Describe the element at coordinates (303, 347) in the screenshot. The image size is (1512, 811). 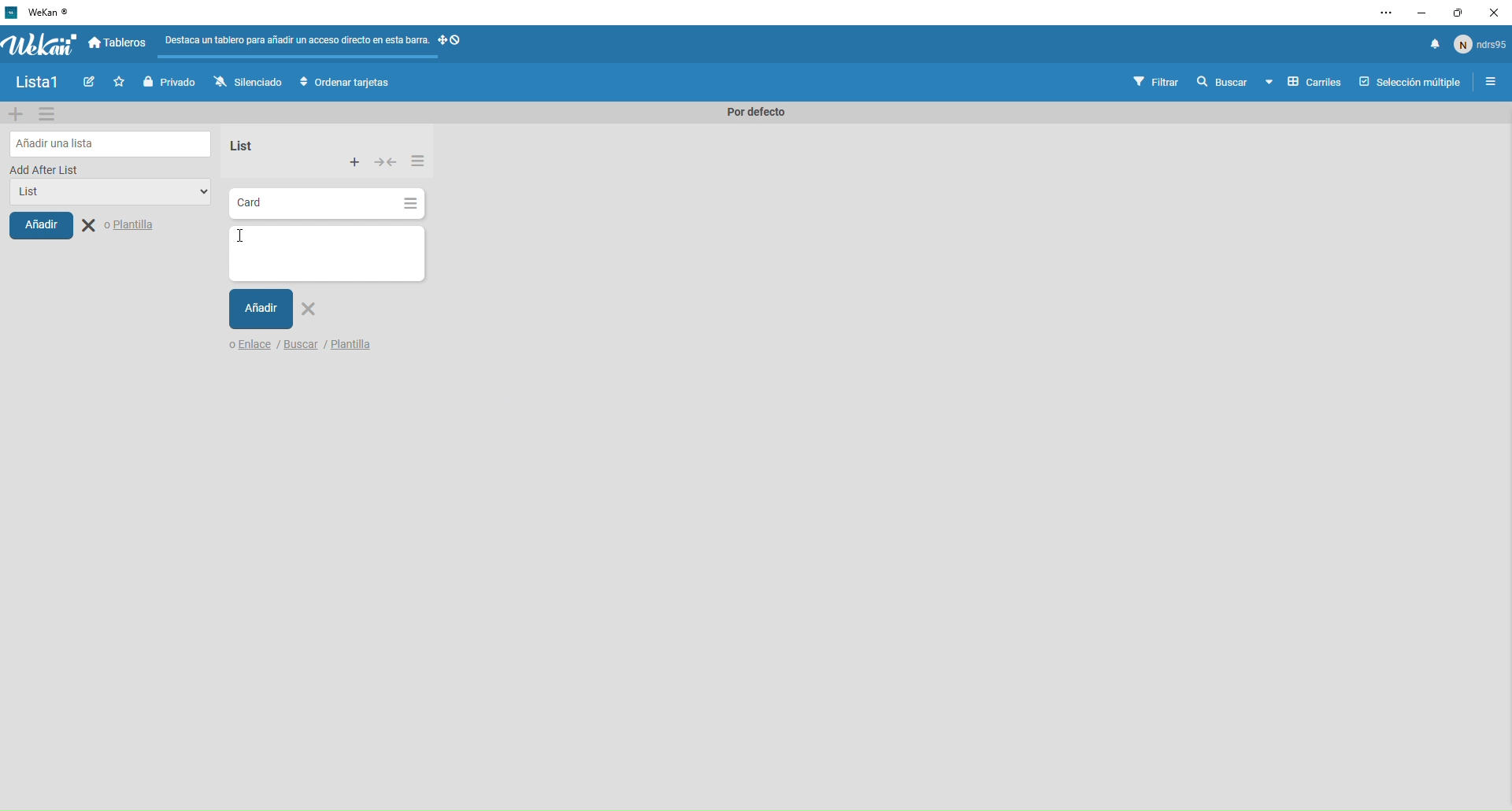
I see `Find` at that location.